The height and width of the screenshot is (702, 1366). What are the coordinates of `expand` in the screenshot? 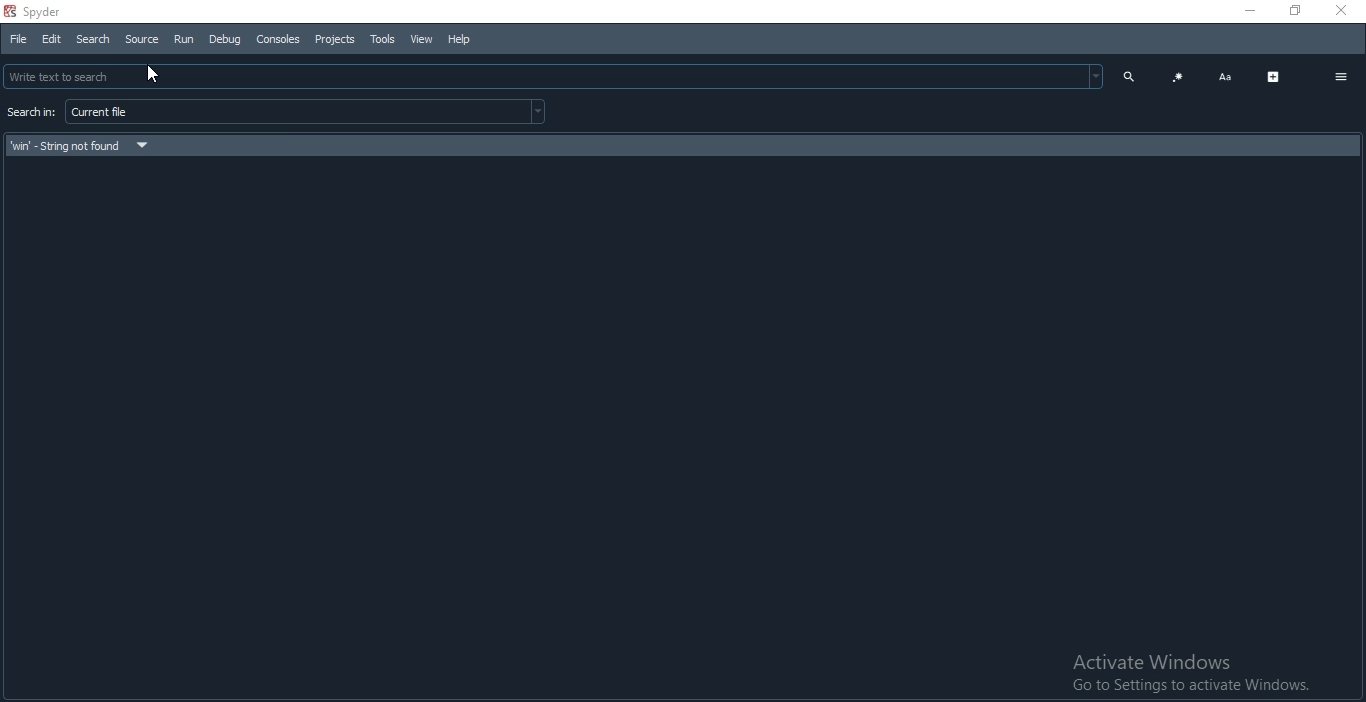 It's located at (1273, 75).